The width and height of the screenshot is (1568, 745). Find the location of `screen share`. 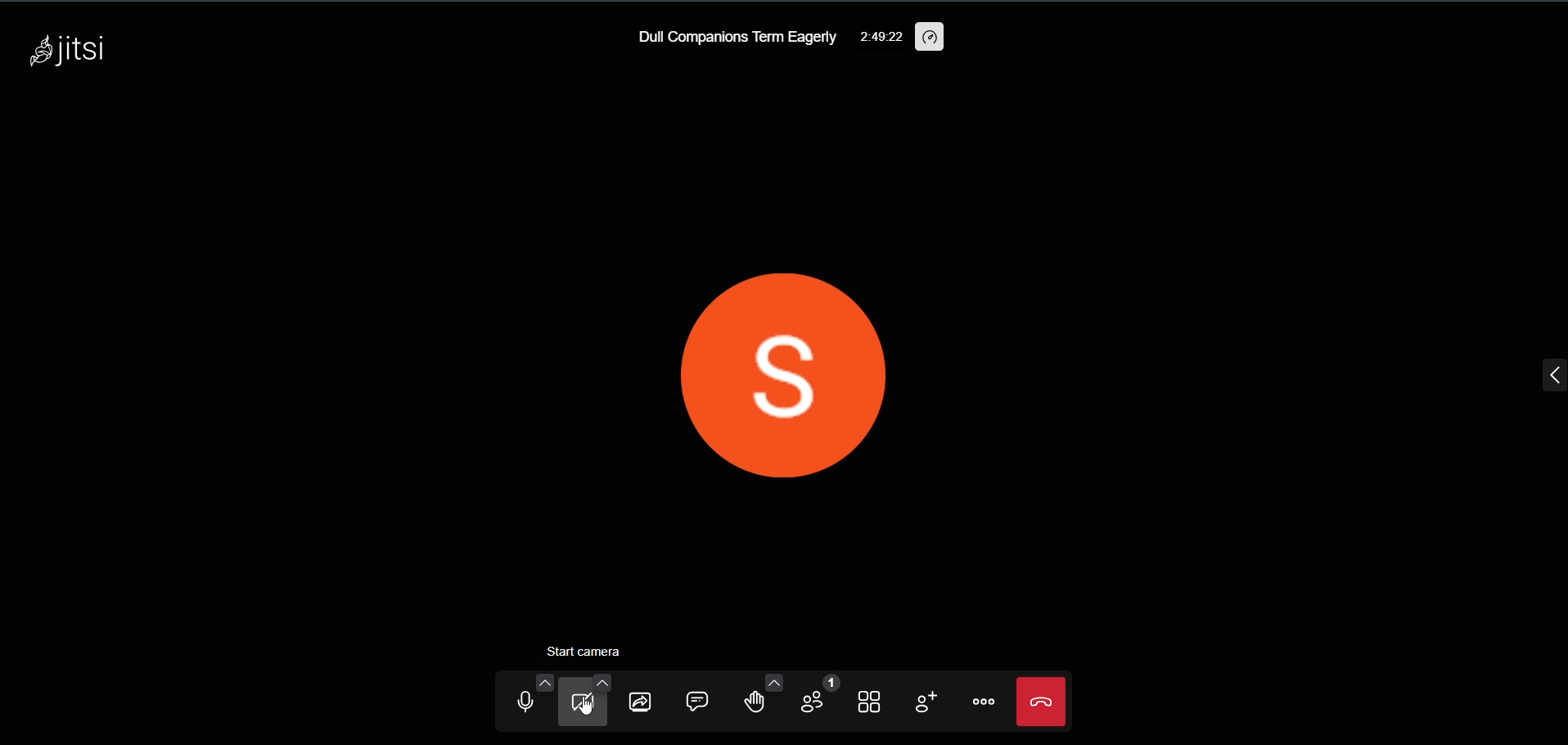

screen share is located at coordinates (640, 700).